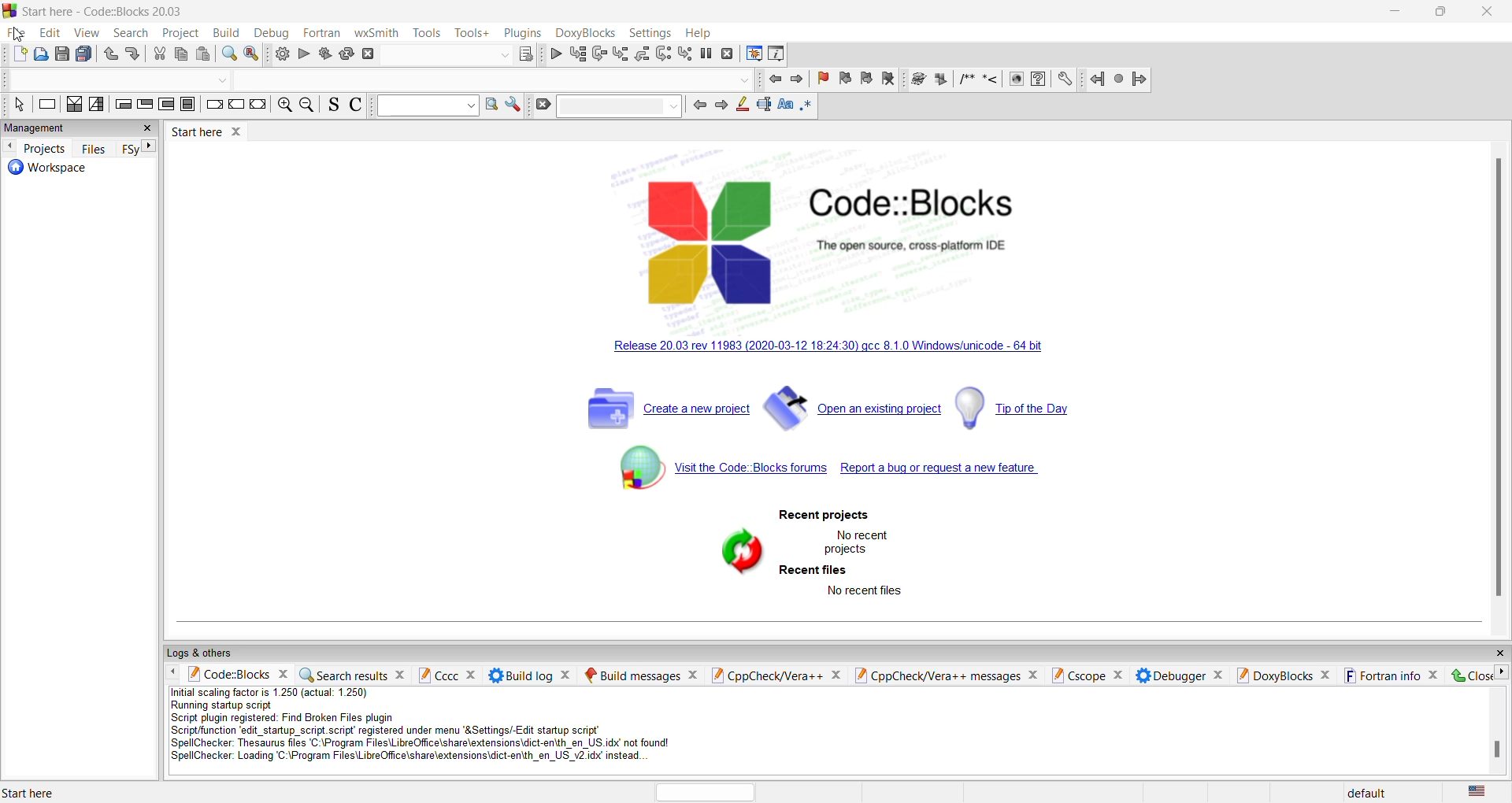  I want to click on title, so click(124, 11).